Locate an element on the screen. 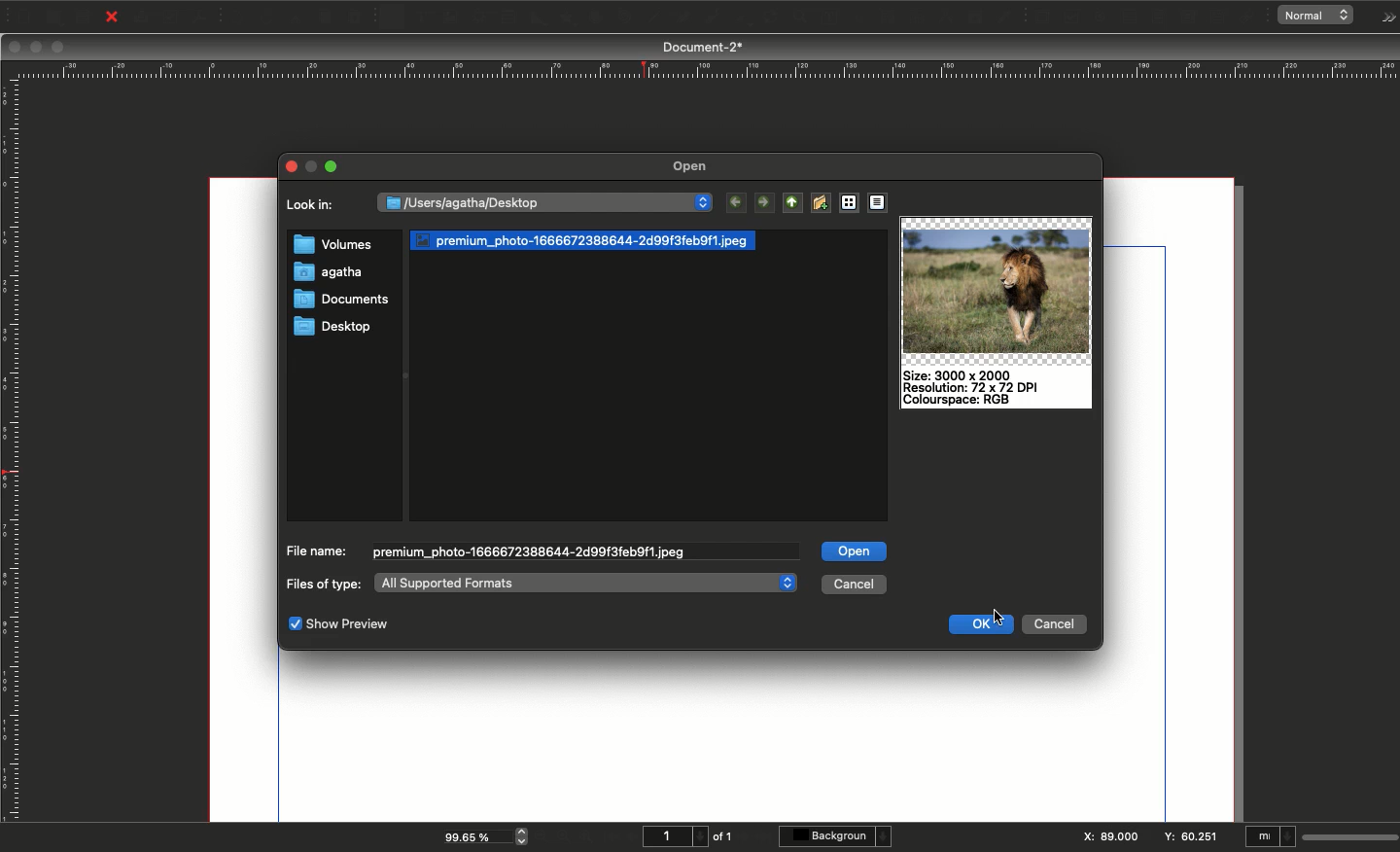  Preflight verifier is located at coordinates (172, 20).